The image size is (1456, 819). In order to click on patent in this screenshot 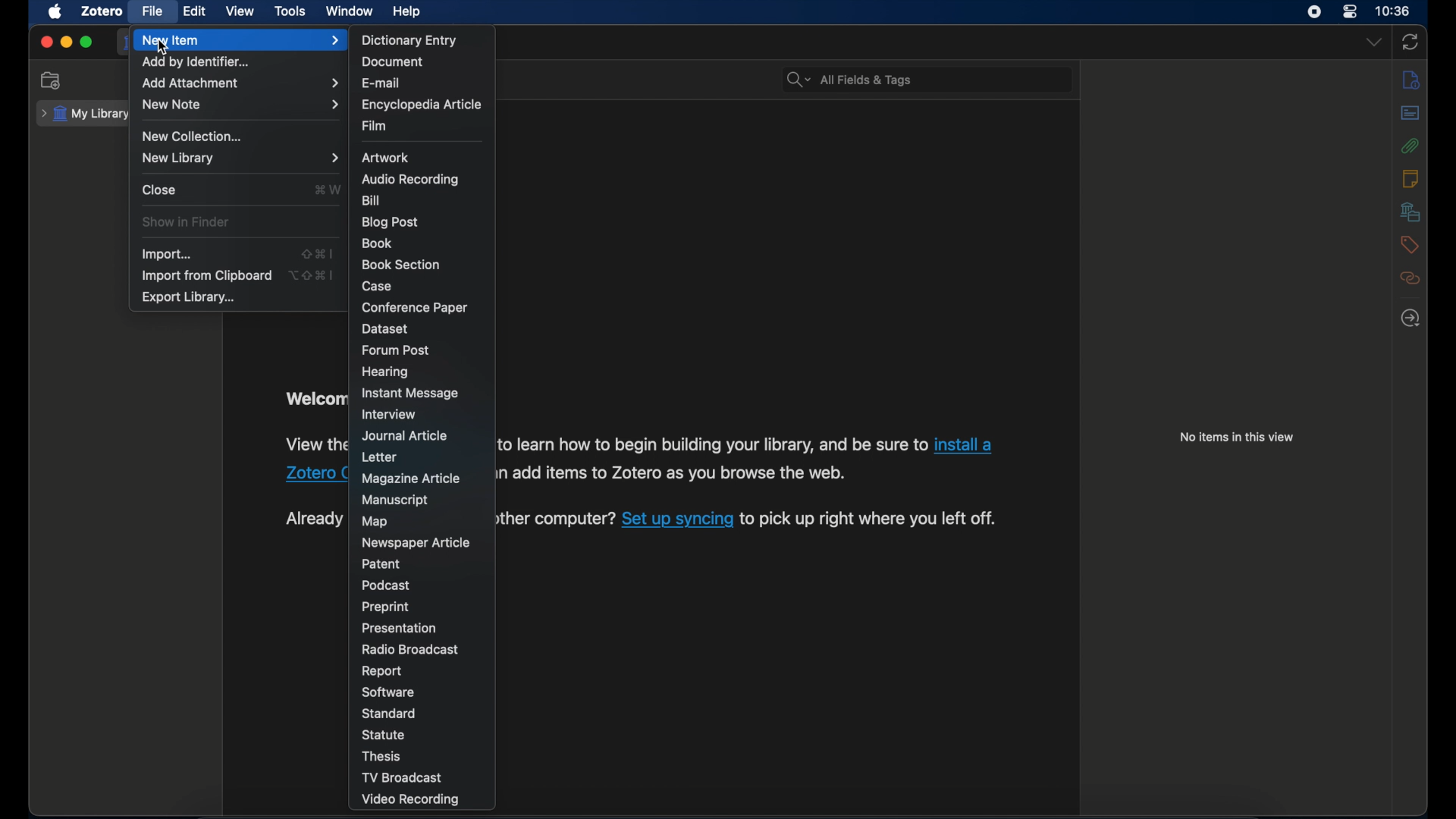, I will do `click(381, 564)`.